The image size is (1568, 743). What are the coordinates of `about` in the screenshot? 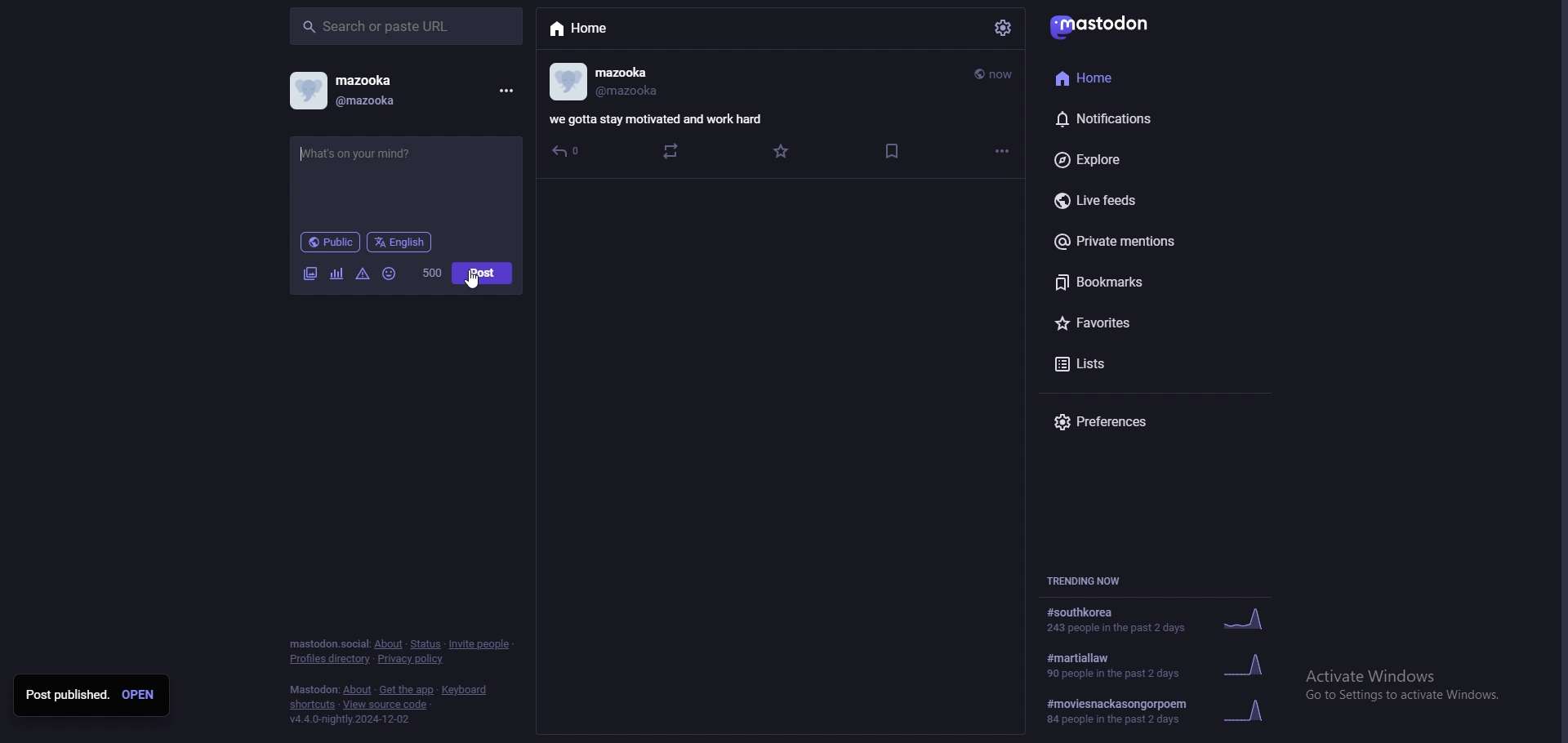 It's located at (389, 645).